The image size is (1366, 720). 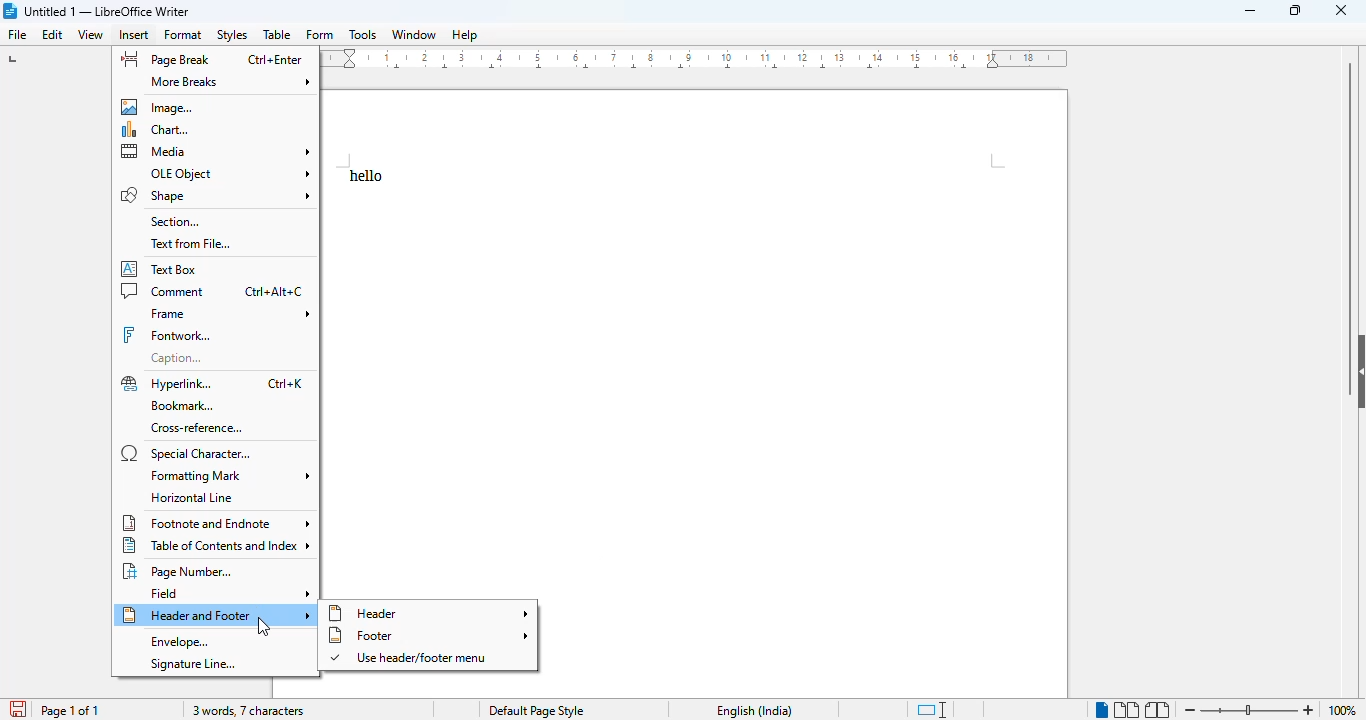 I want to click on text from file, so click(x=192, y=244).